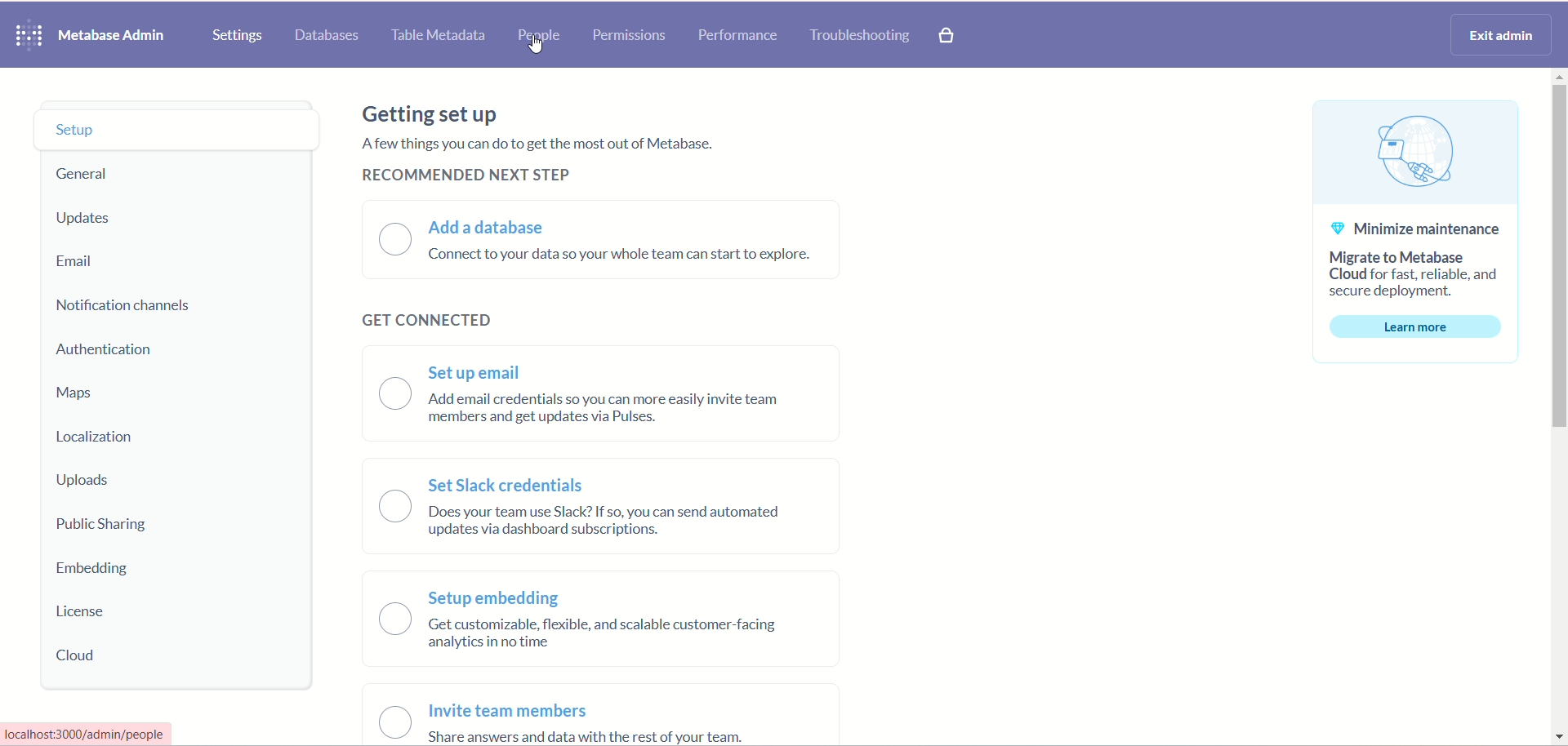  I want to click on text, so click(90, 733).